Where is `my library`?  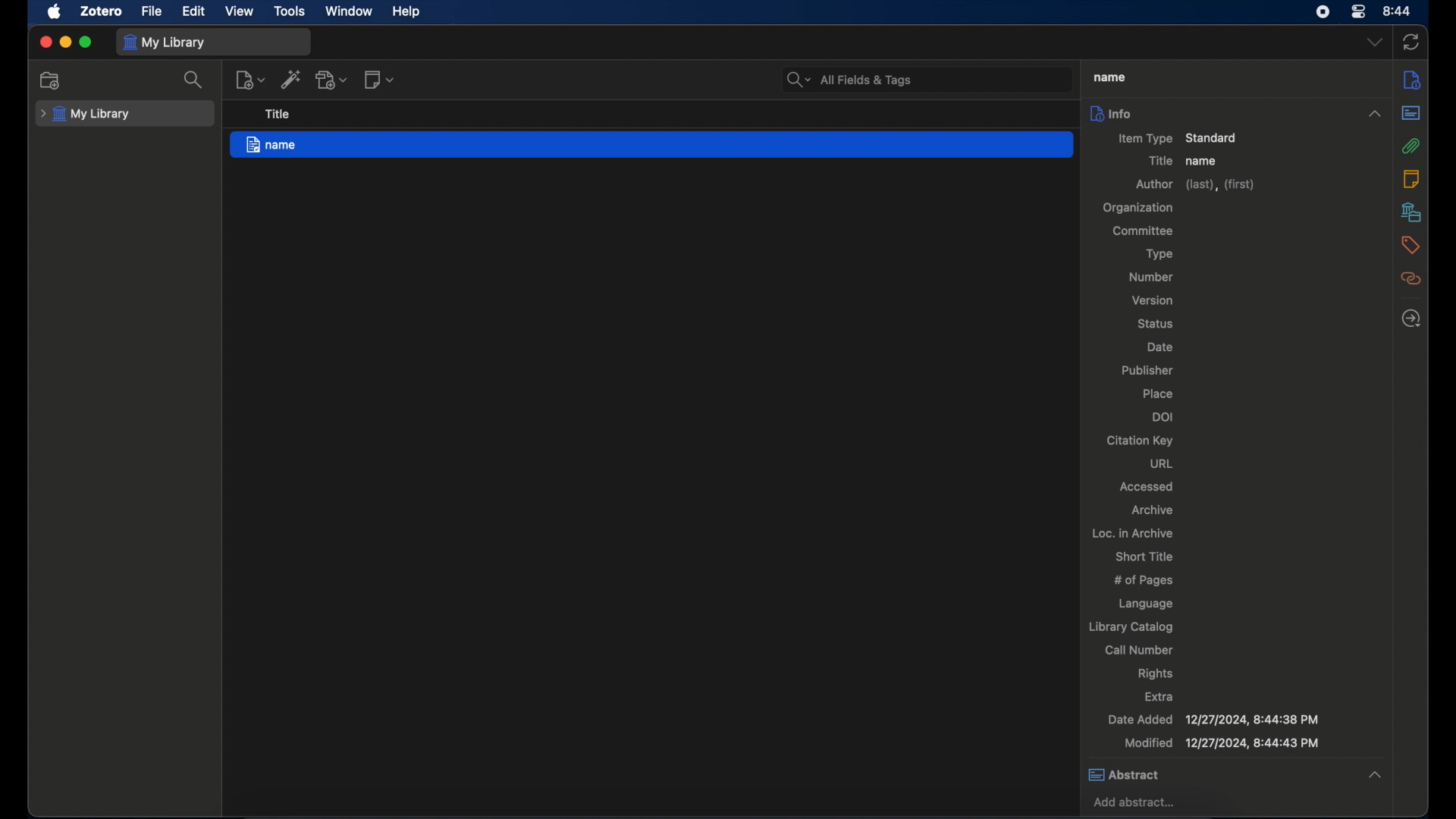
my library is located at coordinates (86, 115).